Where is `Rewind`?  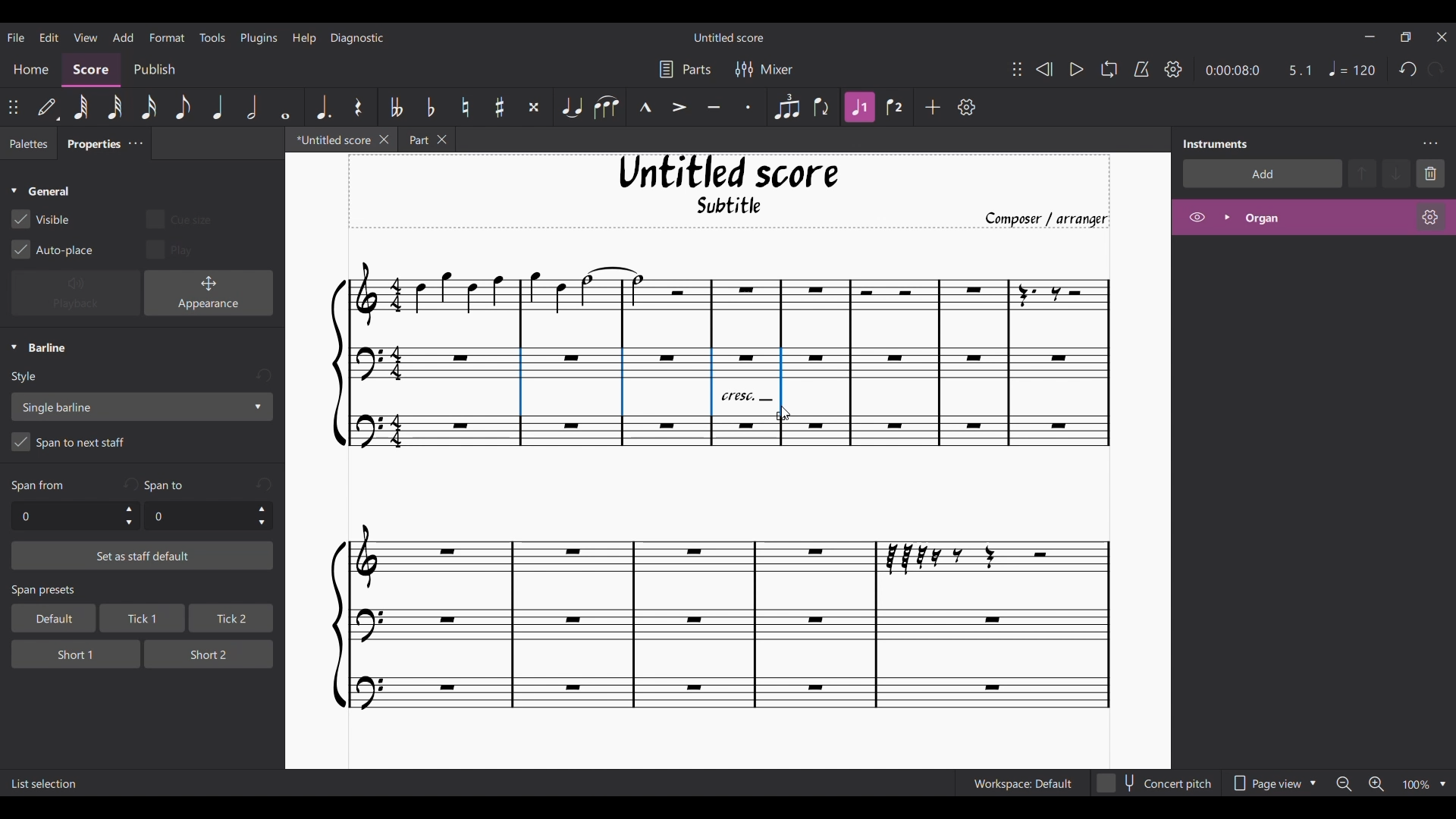 Rewind is located at coordinates (1043, 69).